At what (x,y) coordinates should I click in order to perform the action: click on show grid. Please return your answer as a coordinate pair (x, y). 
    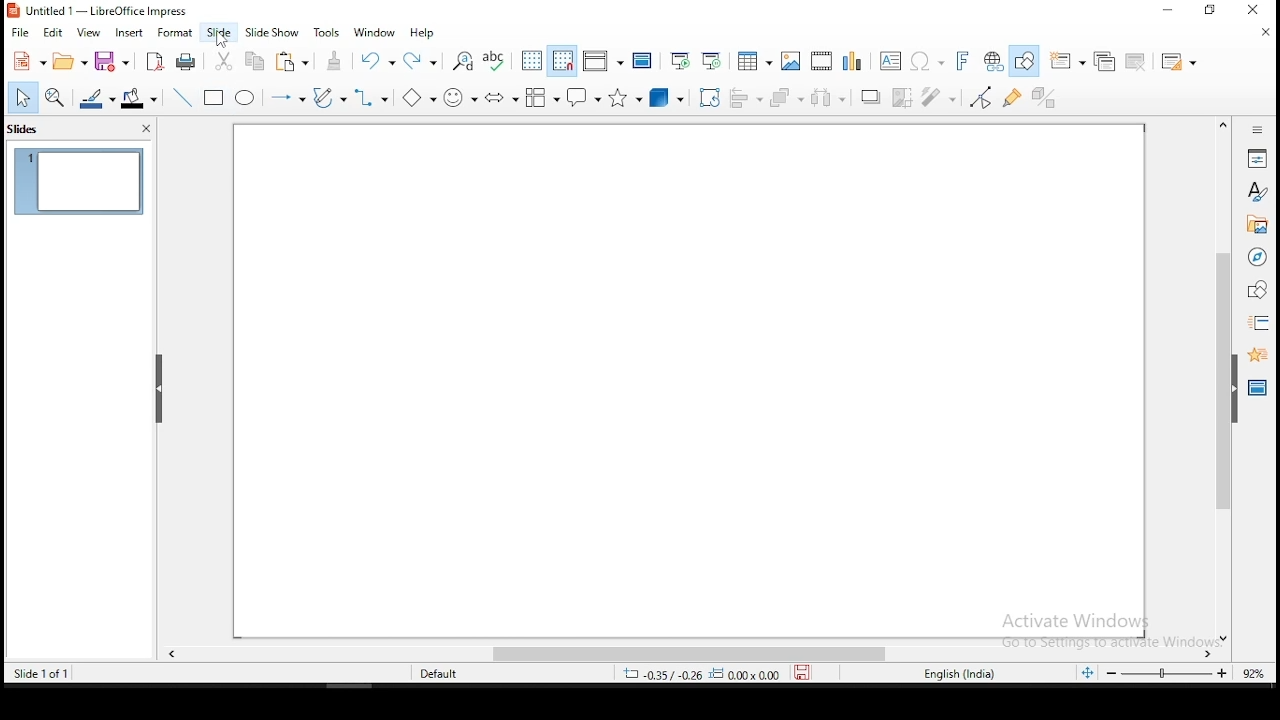
    Looking at the image, I should click on (532, 61).